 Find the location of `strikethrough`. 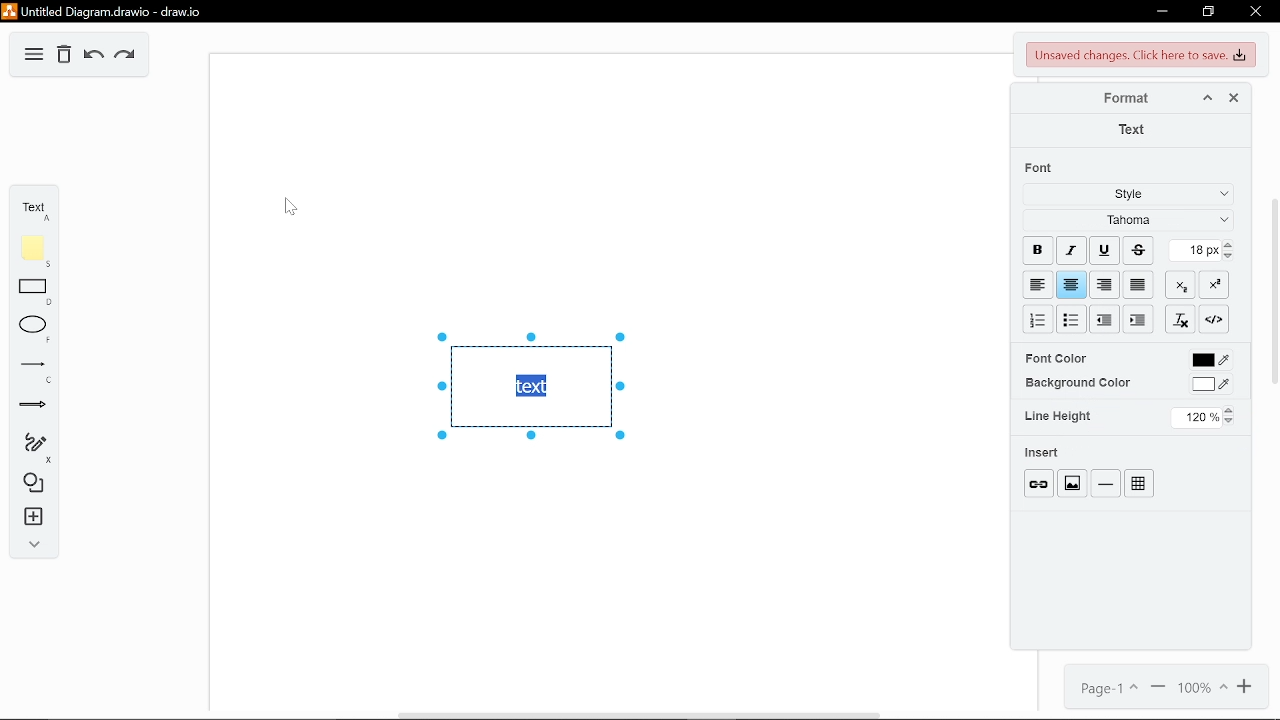

strikethrough is located at coordinates (1138, 249).